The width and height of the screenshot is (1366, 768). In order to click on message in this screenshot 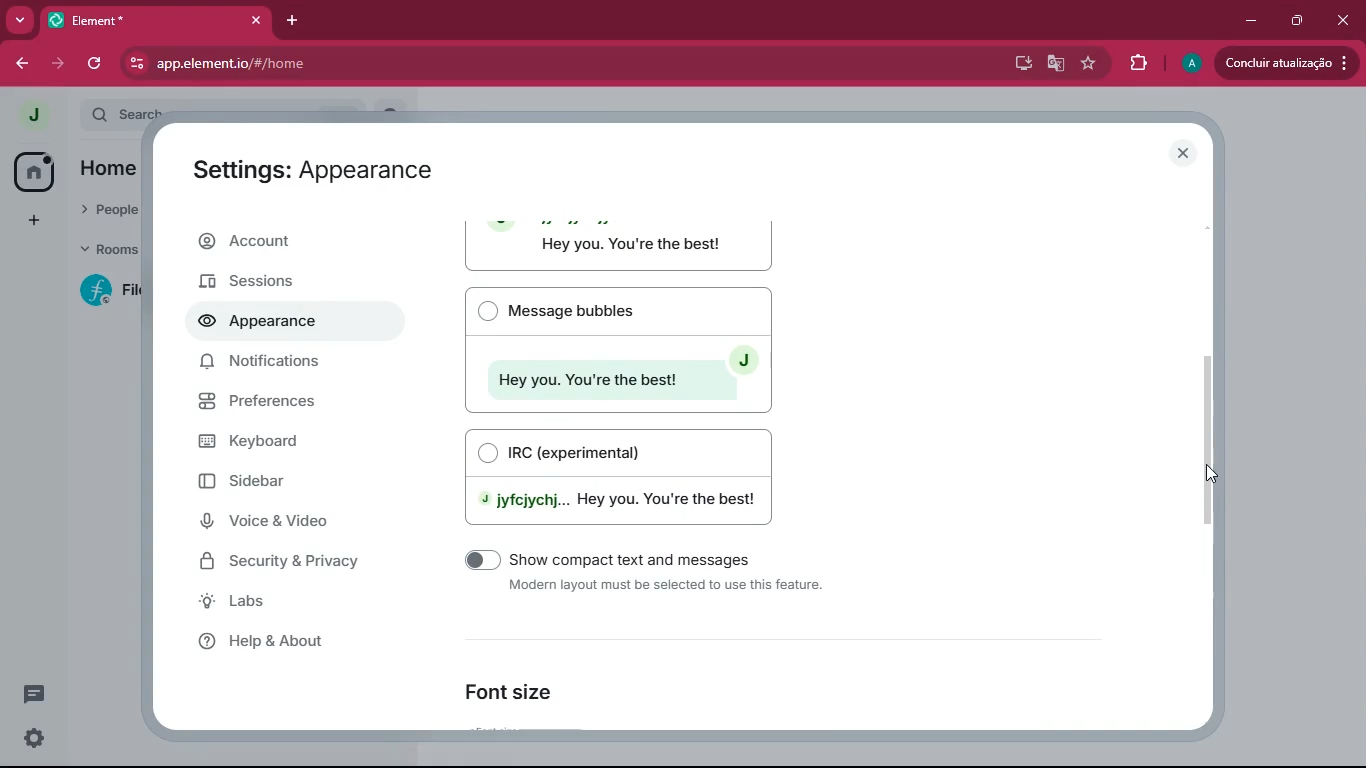, I will do `click(32, 694)`.